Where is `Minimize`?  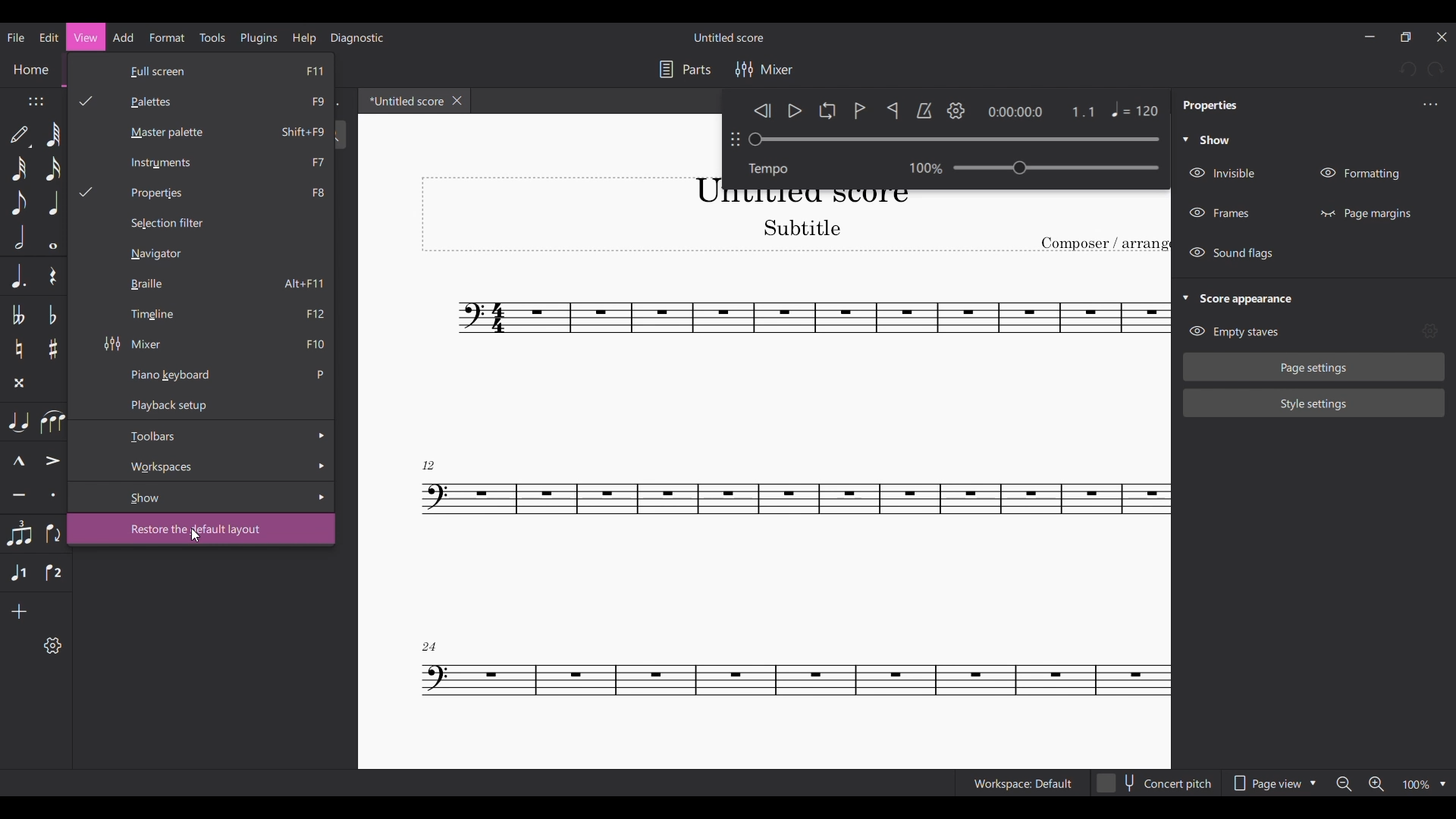 Minimize is located at coordinates (1369, 36).